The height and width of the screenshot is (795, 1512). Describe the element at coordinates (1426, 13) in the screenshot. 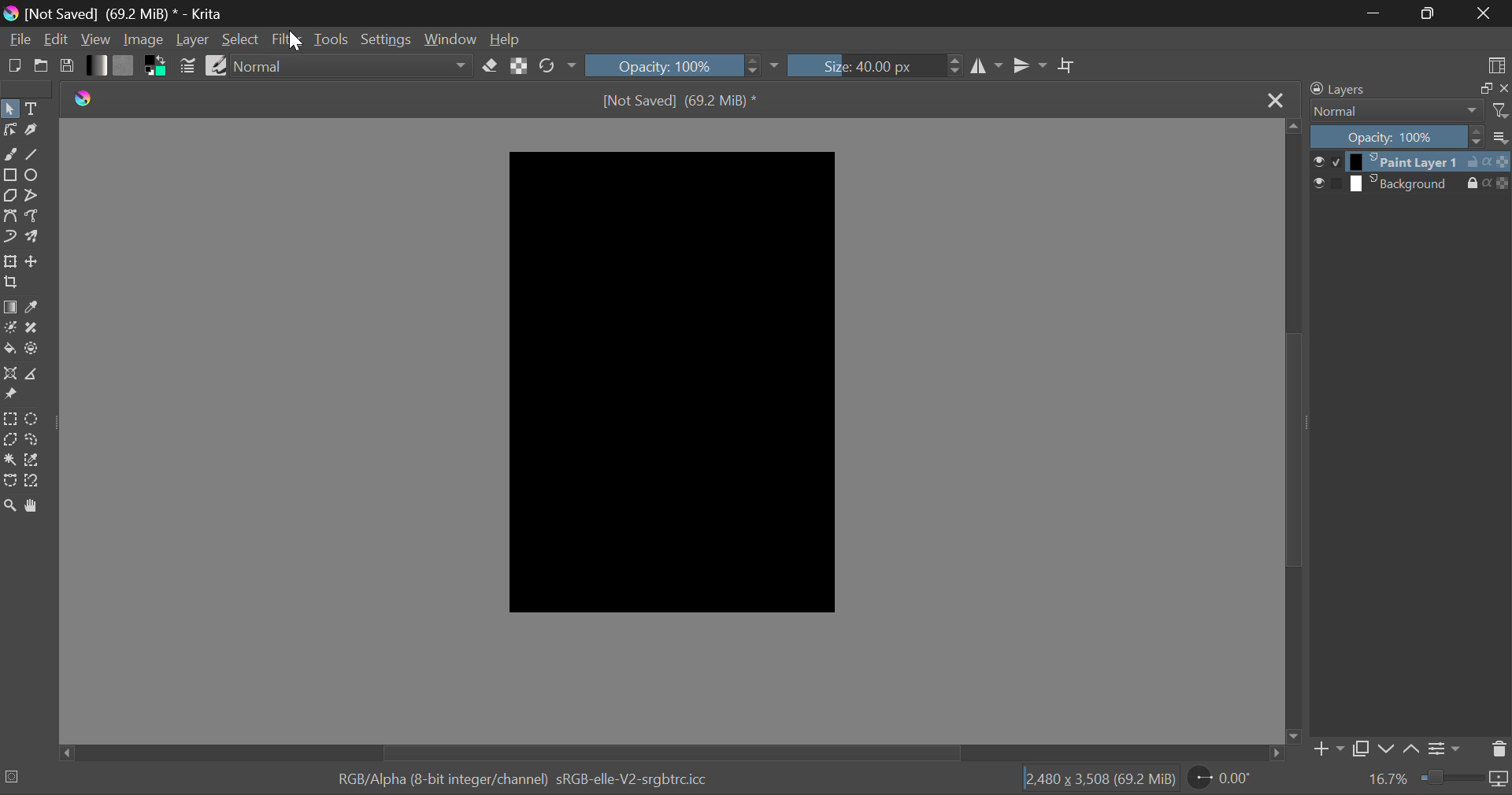

I see `Minimize` at that location.